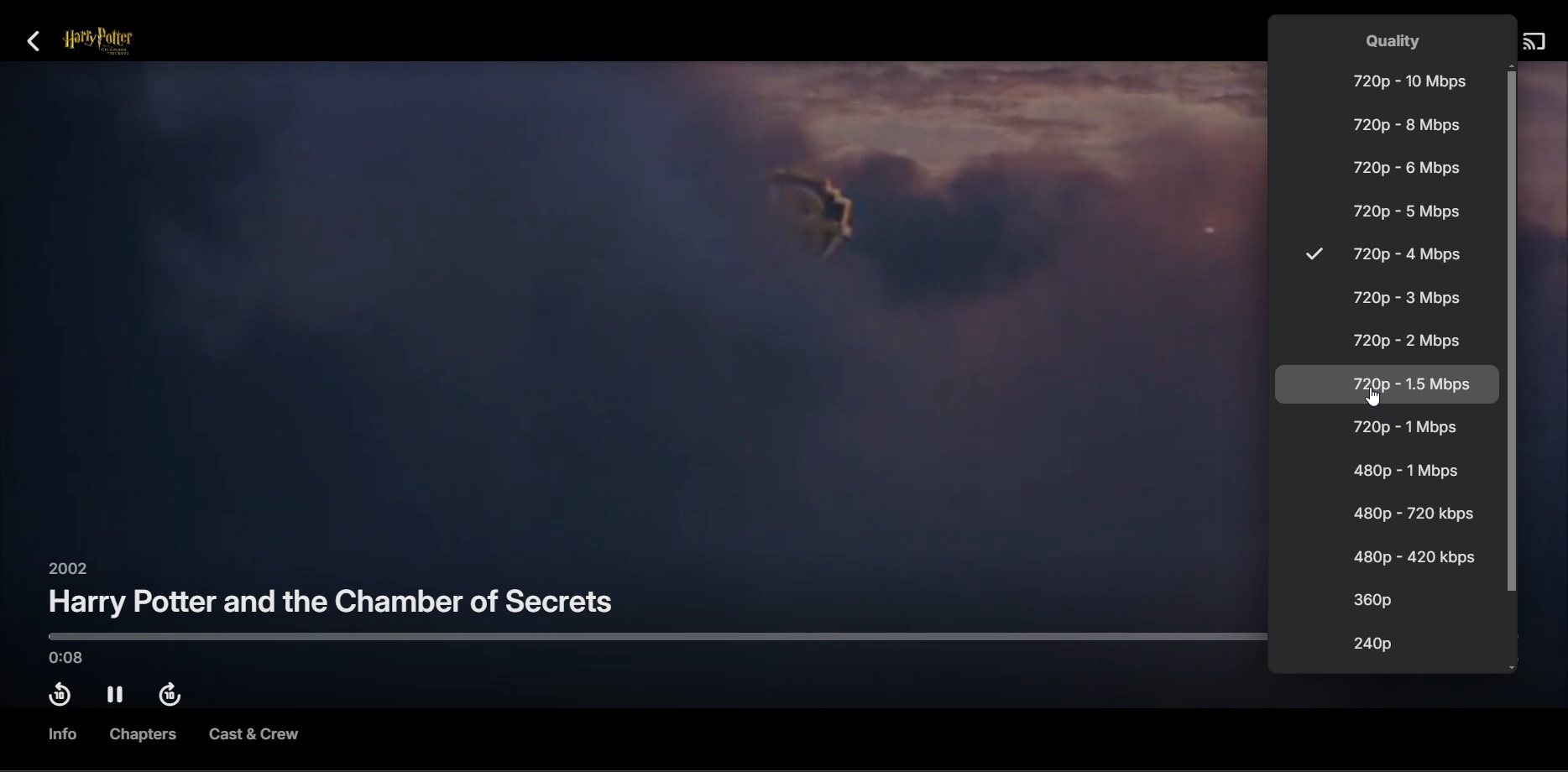 This screenshot has height=772, width=1568. I want to click on 480p -  720kbps, so click(1412, 515).